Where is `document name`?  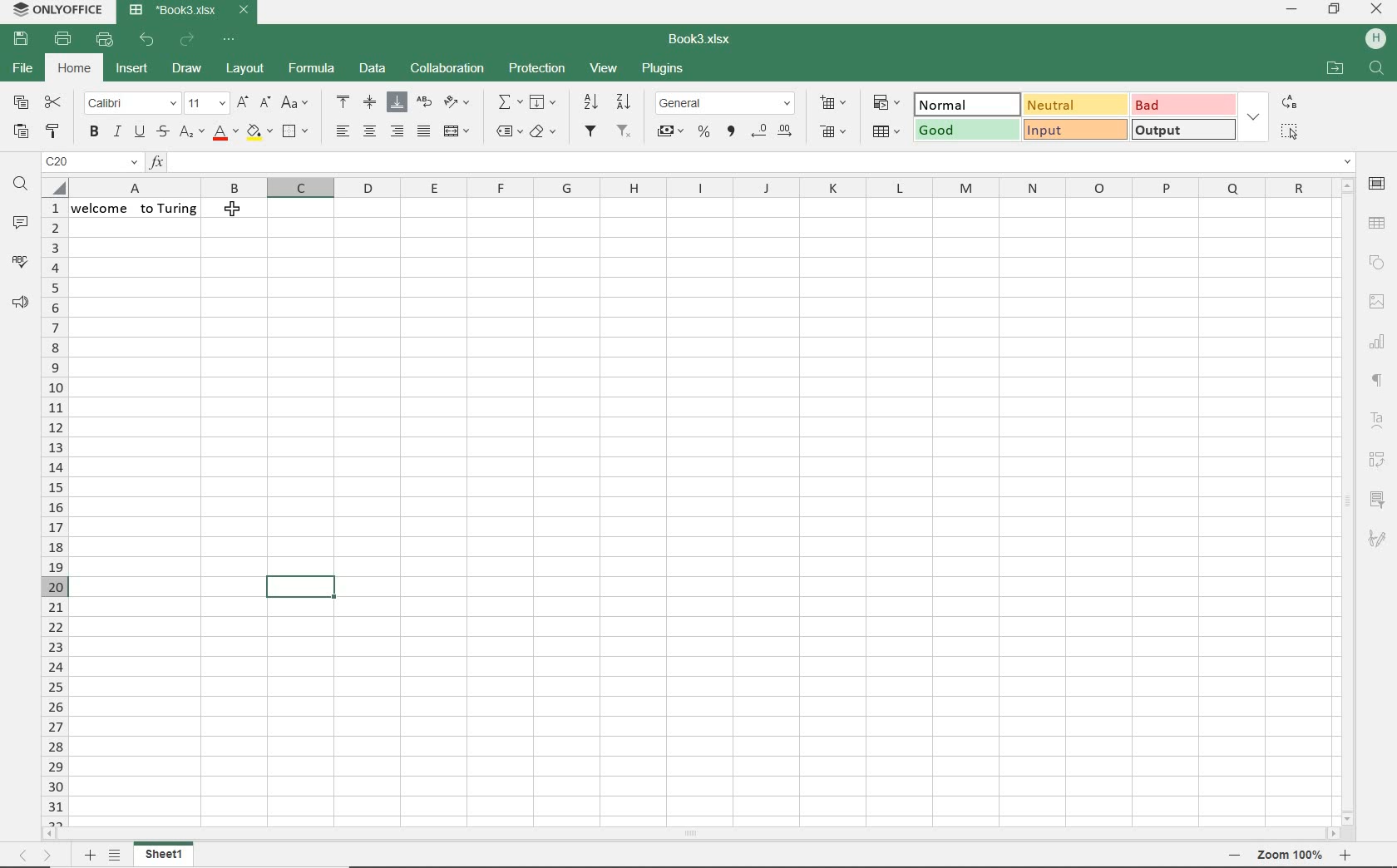 document name is located at coordinates (703, 37).